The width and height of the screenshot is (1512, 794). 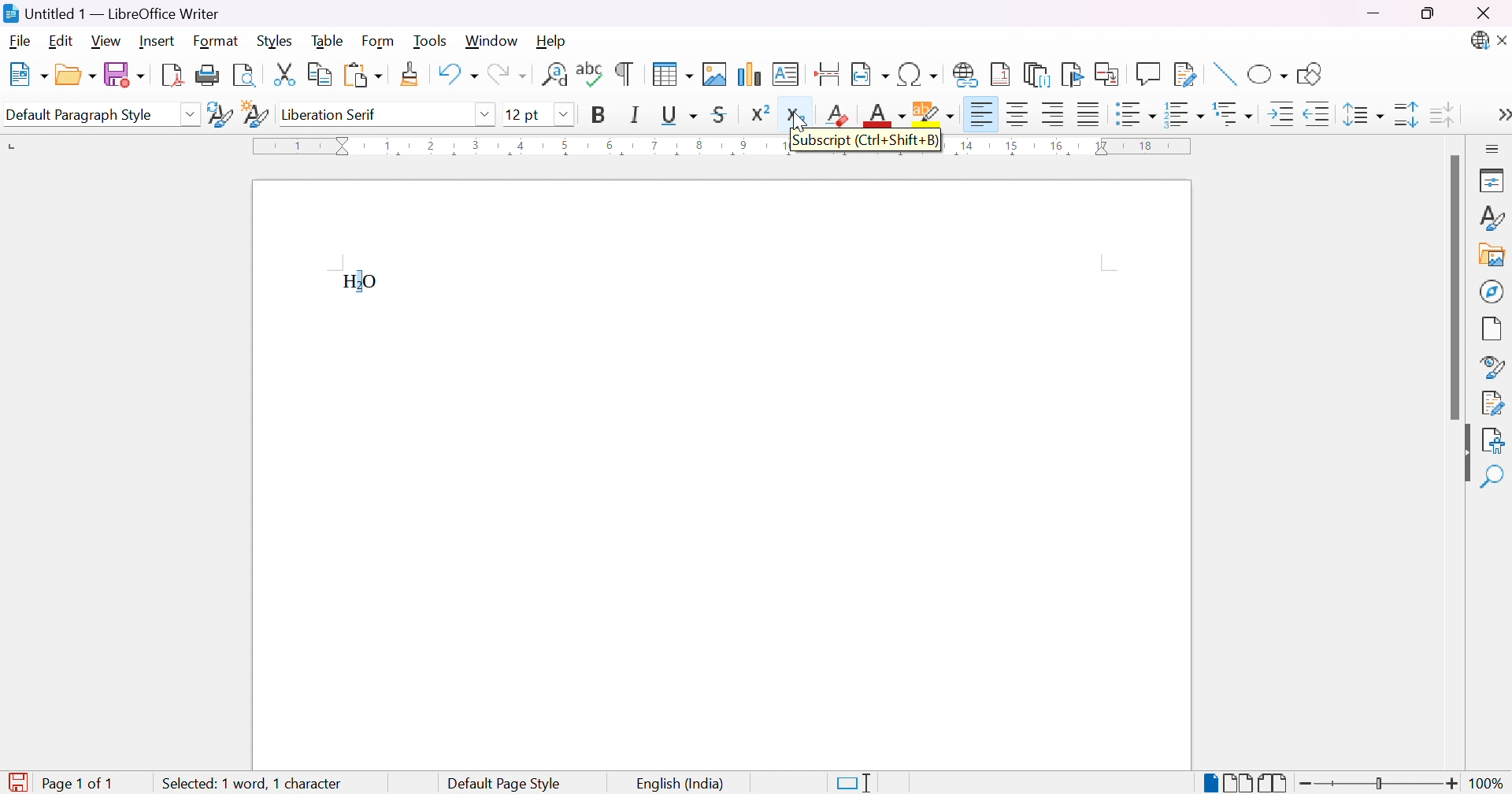 What do you see at coordinates (1209, 784) in the screenshot?
I see `Single-page break` at bounding box center [1209, 784].